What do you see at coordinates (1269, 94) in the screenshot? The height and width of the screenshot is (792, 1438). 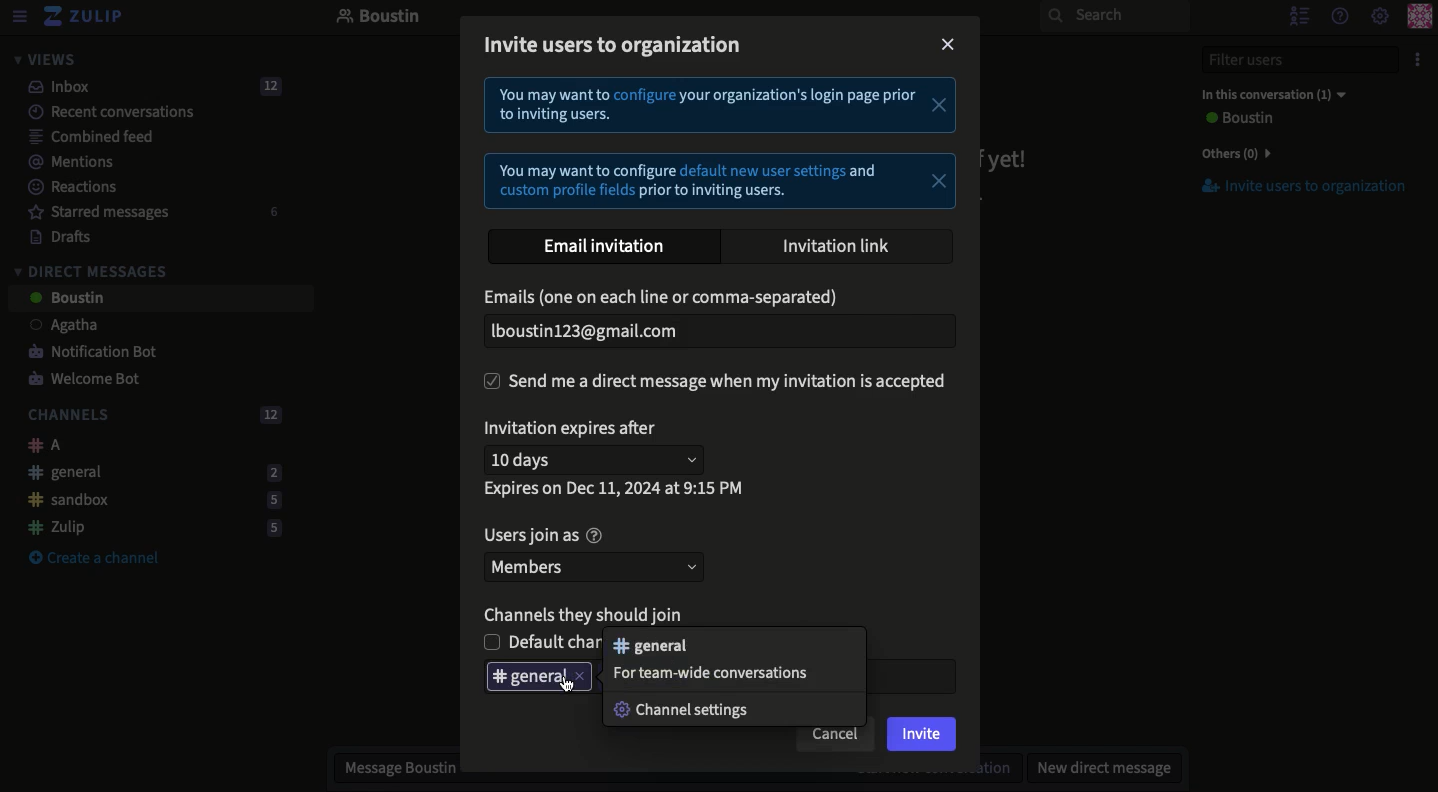 I see `In this conversation` at bounding box center [1269, 94].